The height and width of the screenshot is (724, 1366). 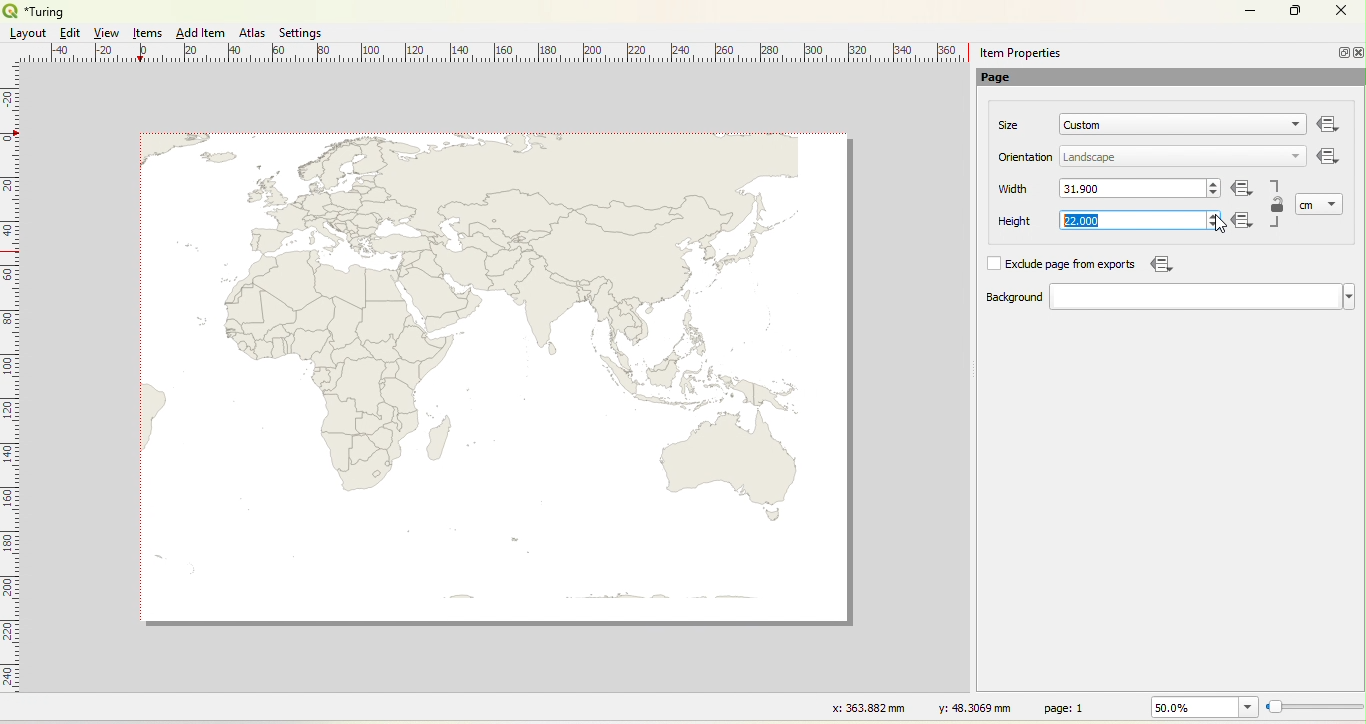 What do you see at coordinates (1296, 155) in the screenshot?
I see `dropdown` at bounding box center [1296, 155].